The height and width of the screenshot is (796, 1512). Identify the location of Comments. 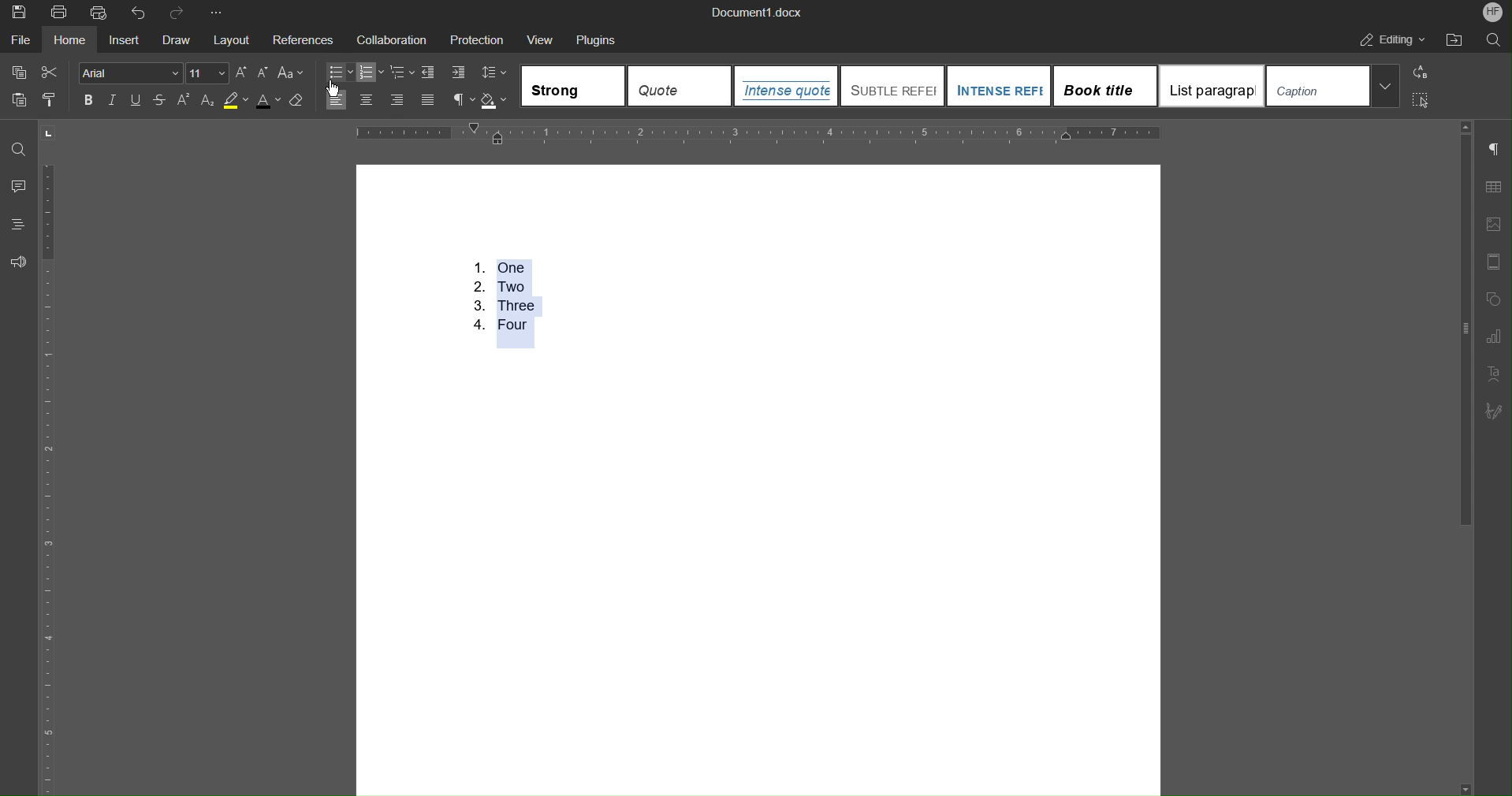
(19, 186).